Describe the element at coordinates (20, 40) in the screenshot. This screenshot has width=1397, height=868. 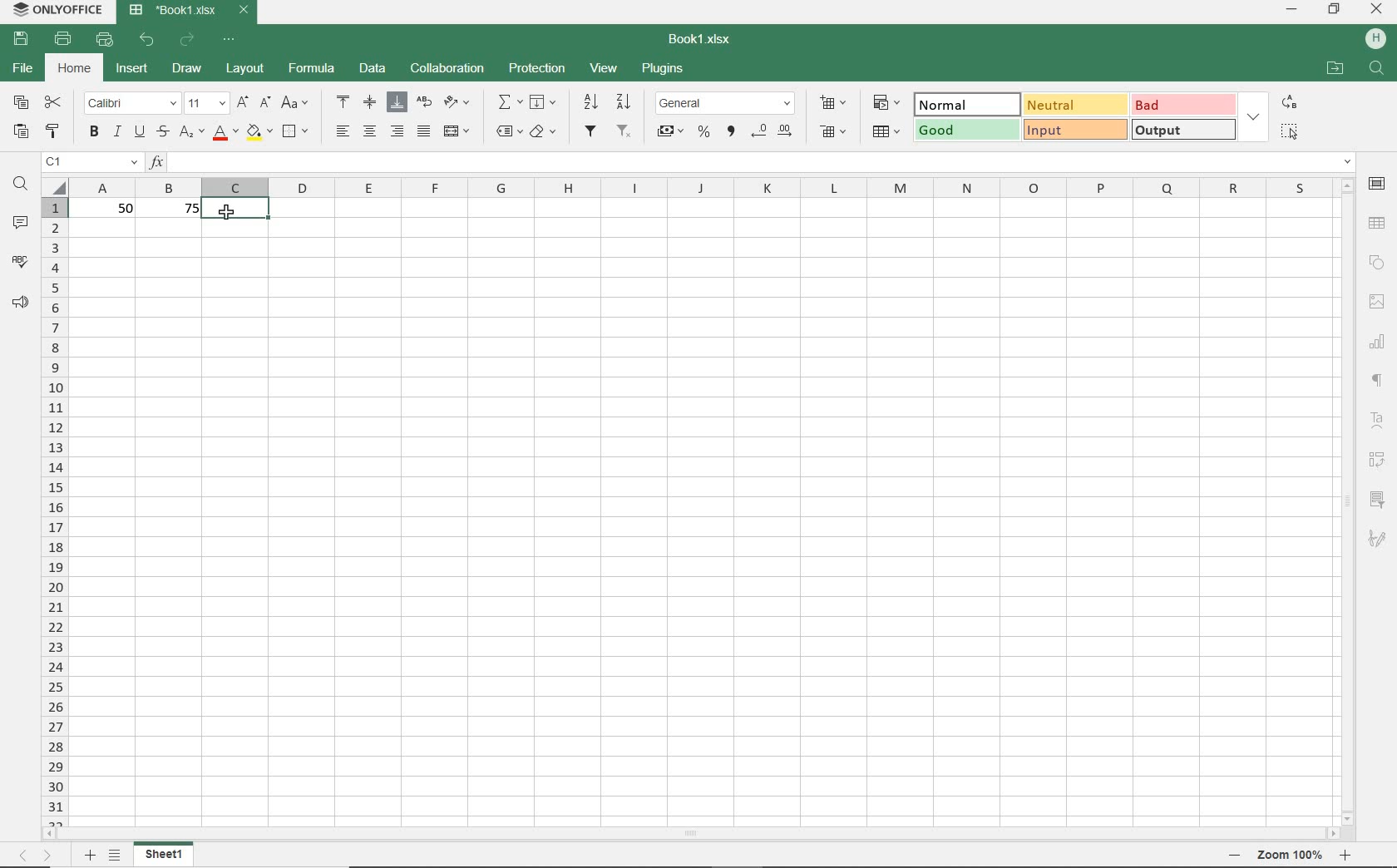
I see `save` at that location.